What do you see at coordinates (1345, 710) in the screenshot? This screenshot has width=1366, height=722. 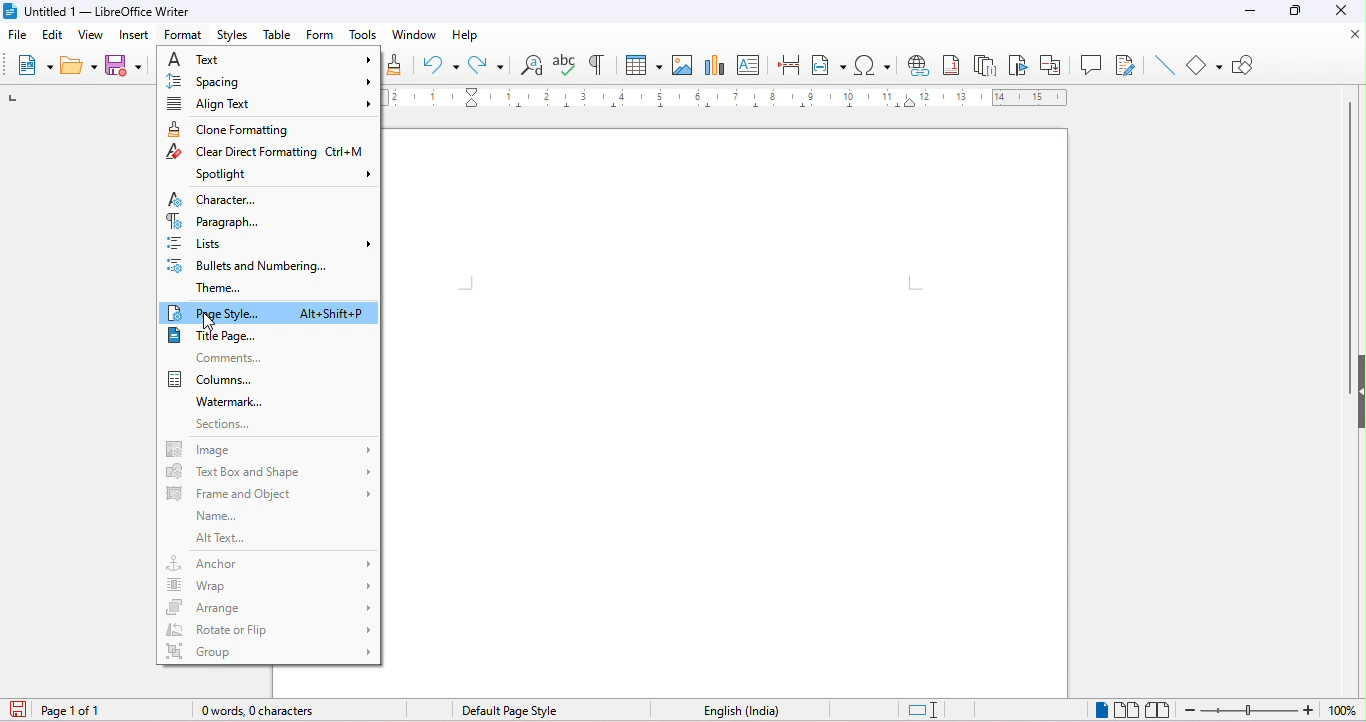 I see `zoom factor` at bounding box center [1345, 710].